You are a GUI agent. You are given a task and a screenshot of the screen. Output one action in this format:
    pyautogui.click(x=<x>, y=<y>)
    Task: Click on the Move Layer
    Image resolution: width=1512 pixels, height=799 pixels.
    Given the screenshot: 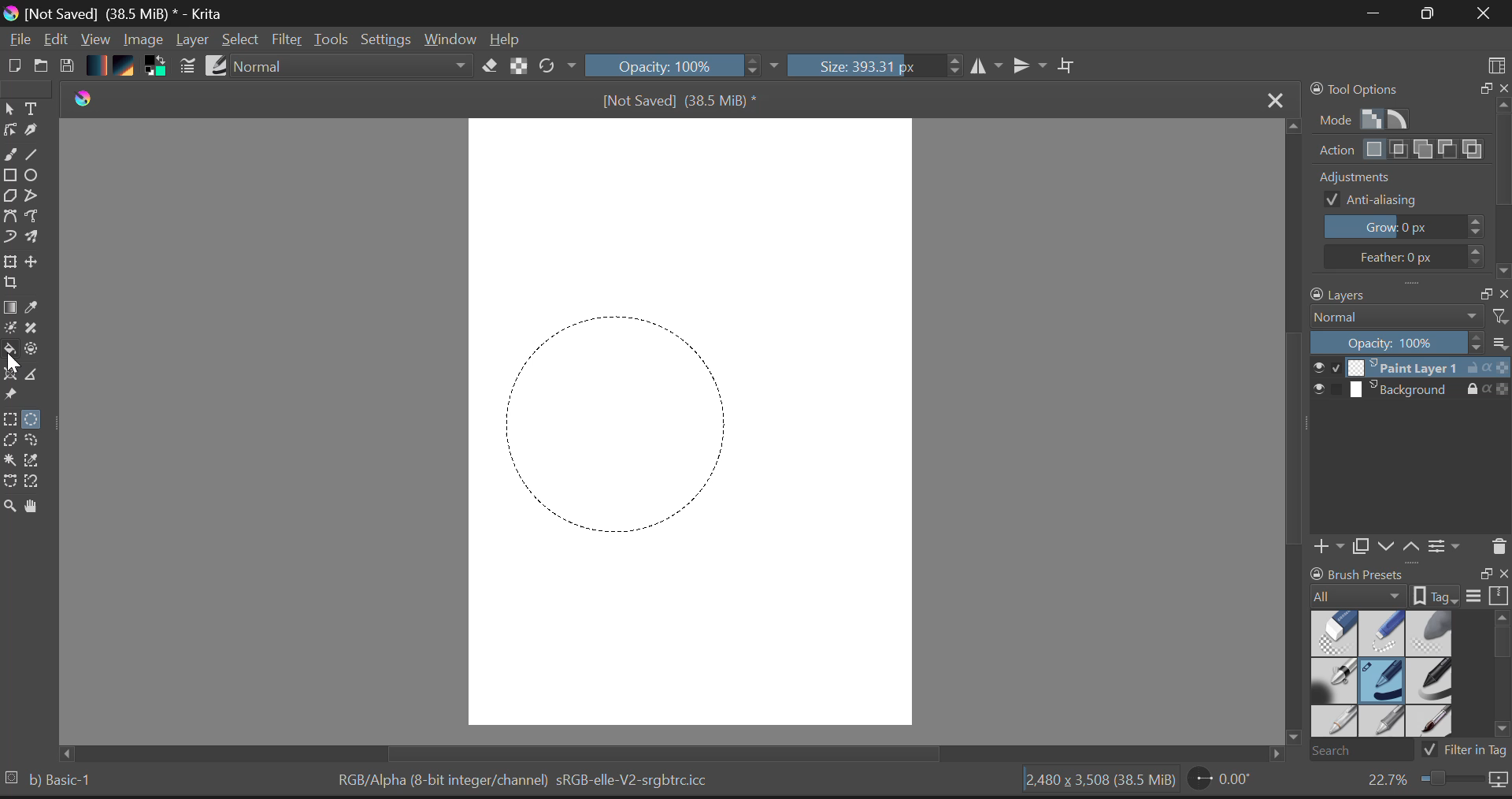 What is the action you would take?
    pyautogui.click(x=38, y=266)
    